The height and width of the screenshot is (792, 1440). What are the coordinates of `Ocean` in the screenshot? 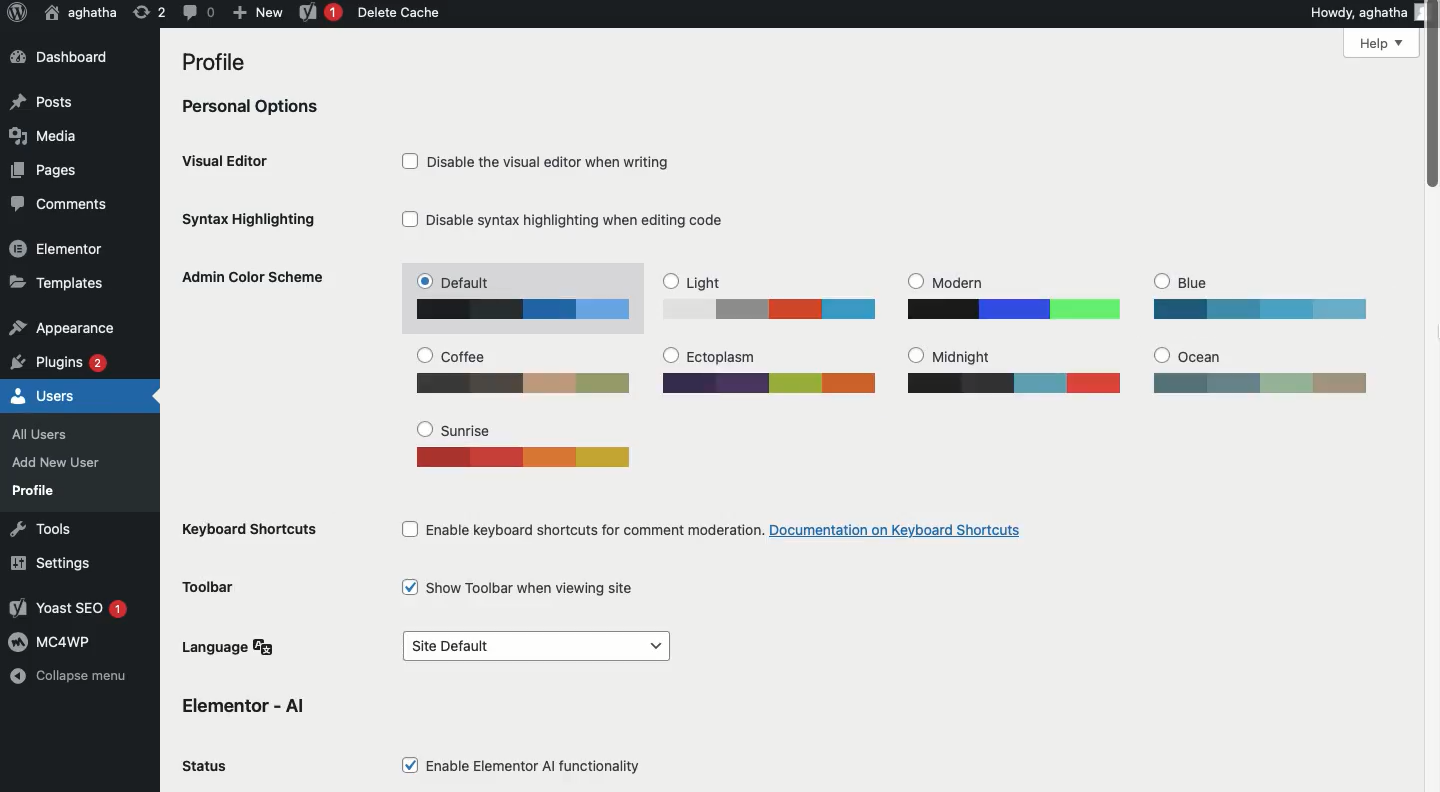 It's located at (1258, 366).